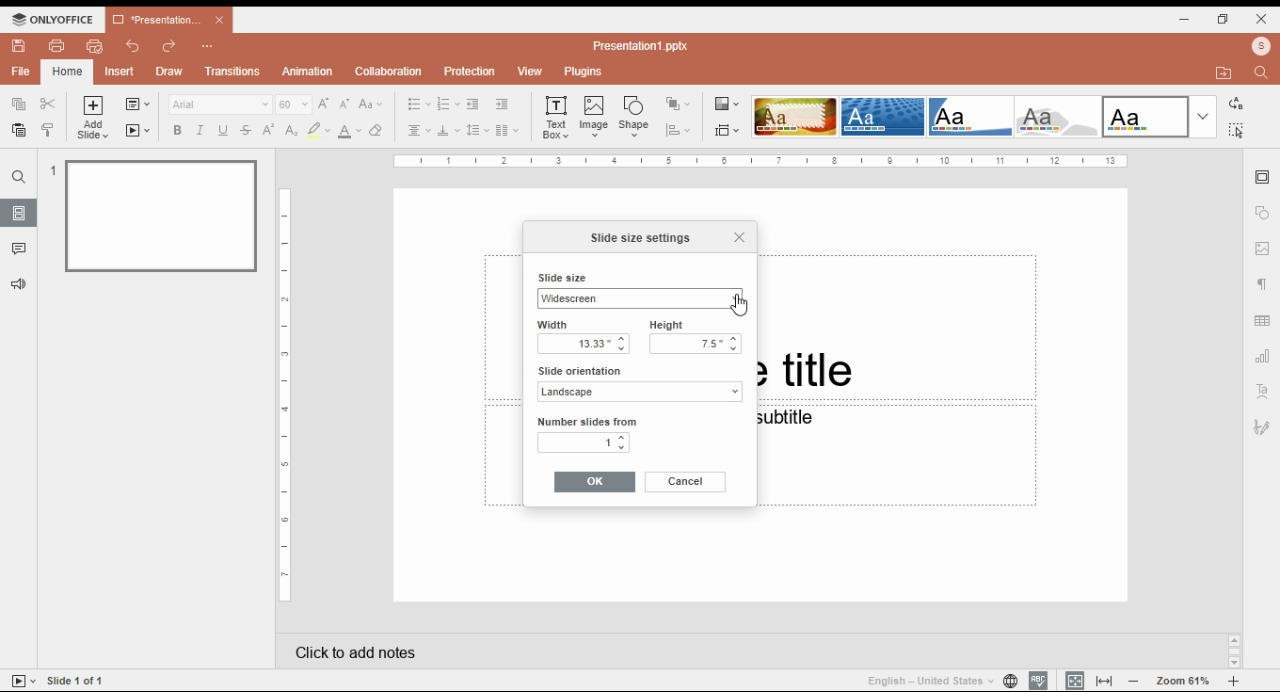 The width and height of the screenshot is (1280, 692). I want to click on cut, so click(49, 103).